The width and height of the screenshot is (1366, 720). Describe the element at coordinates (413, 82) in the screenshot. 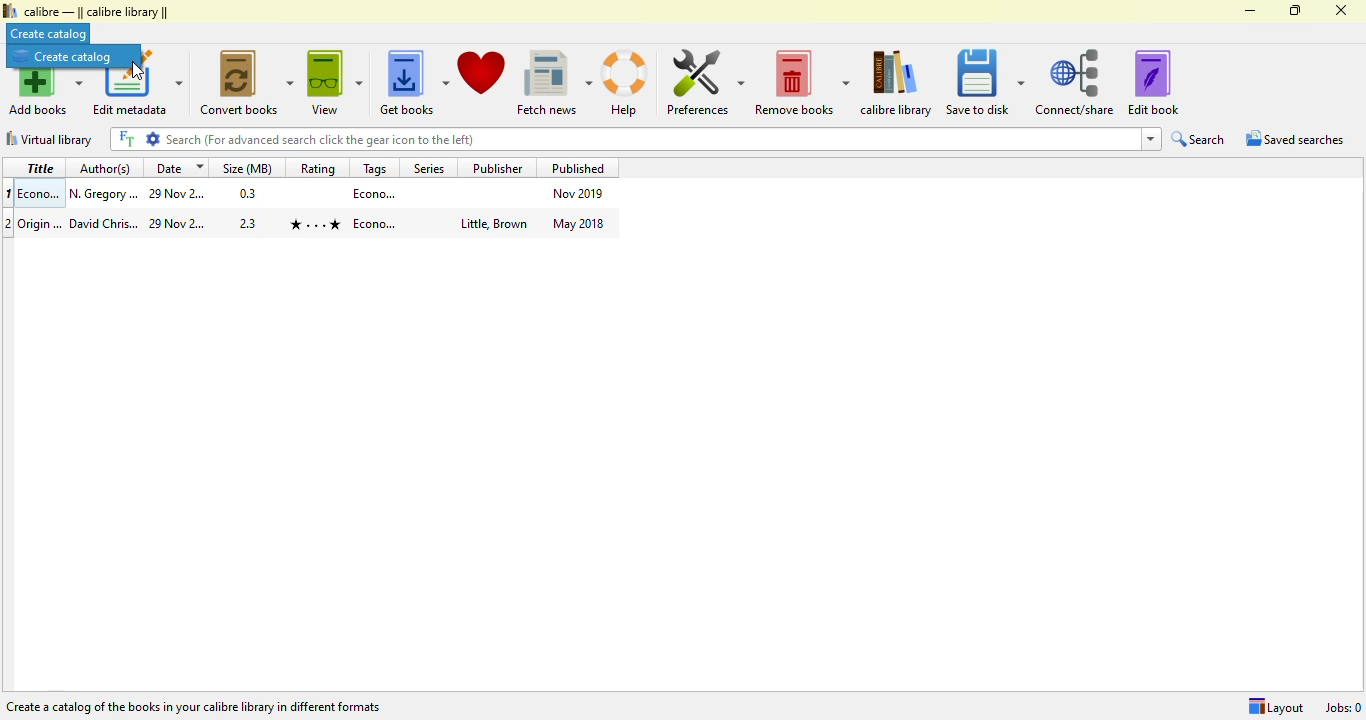

I see `get books` at that location.